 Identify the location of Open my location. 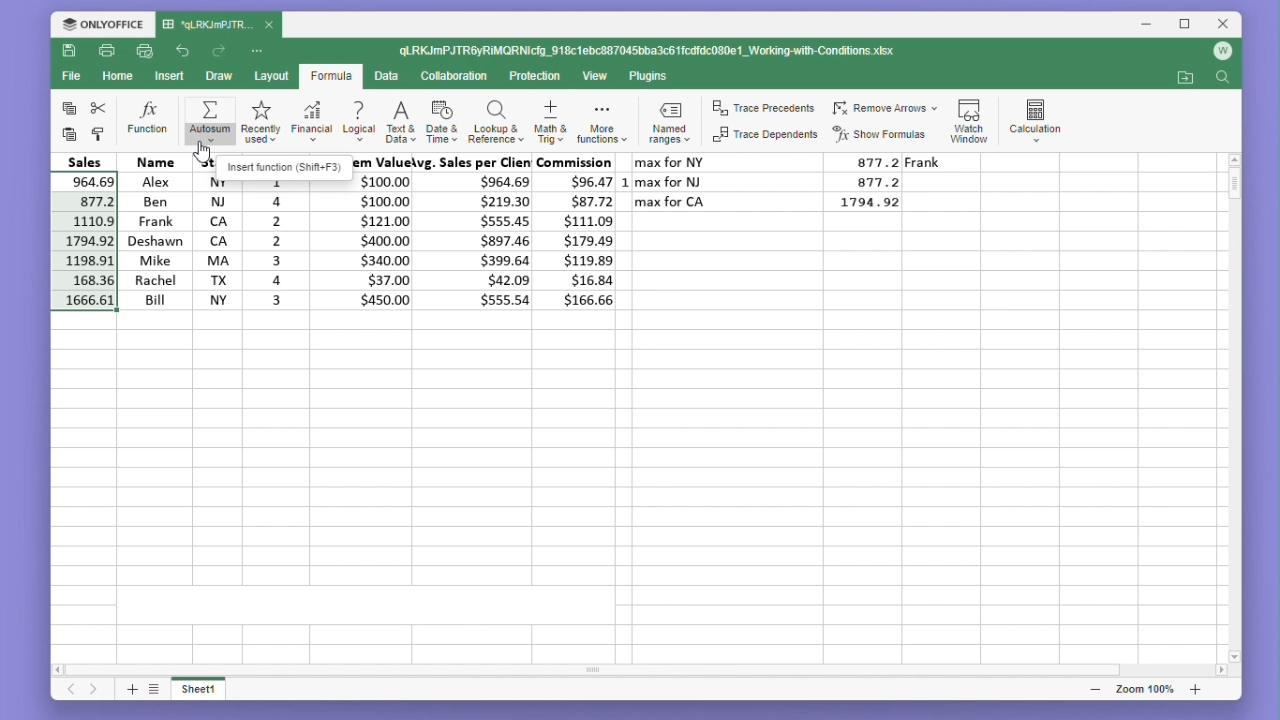
(1185, 78).